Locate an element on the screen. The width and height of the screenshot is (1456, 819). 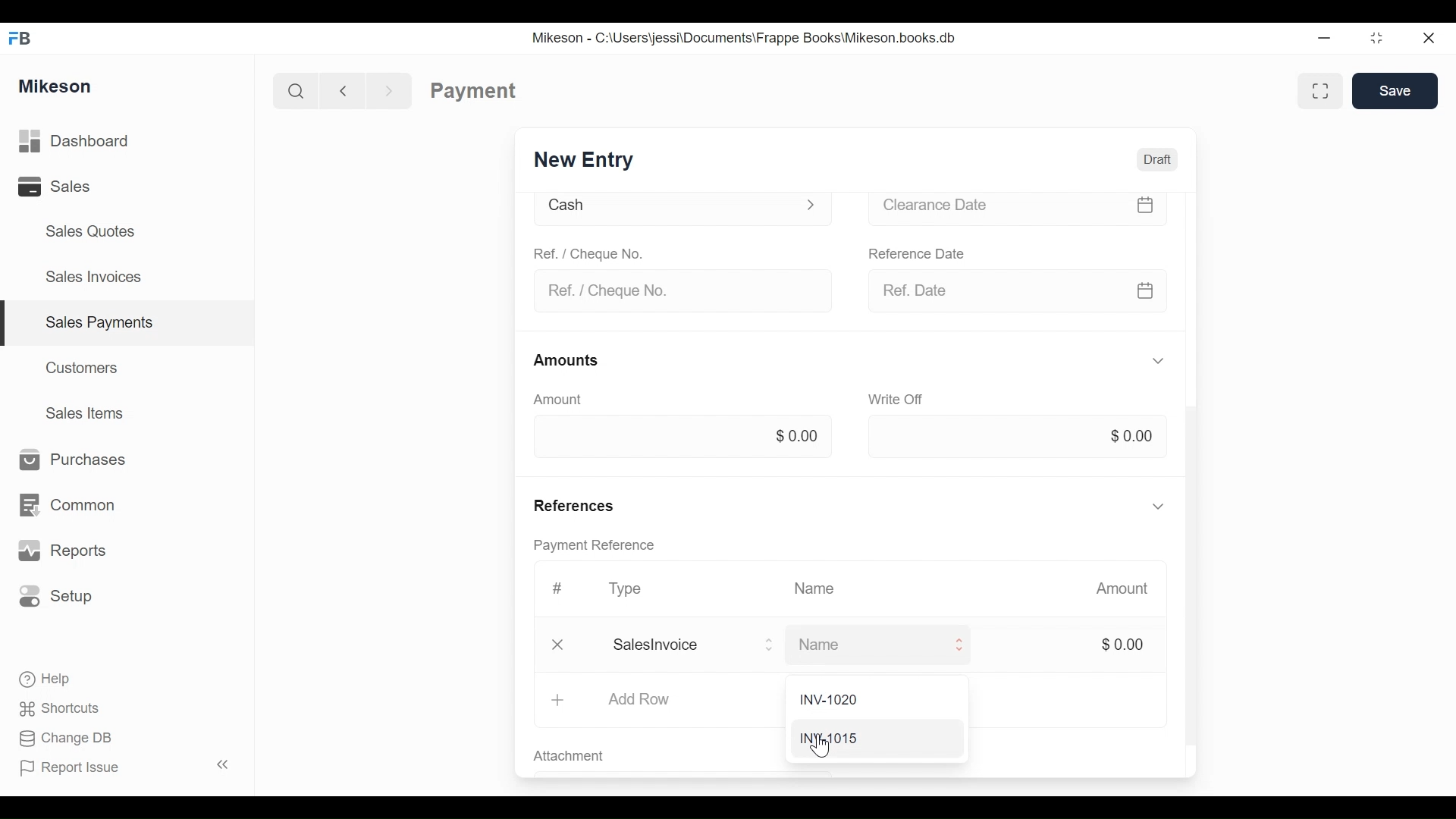
Sales Quotes is located at coordinates (83, 231).